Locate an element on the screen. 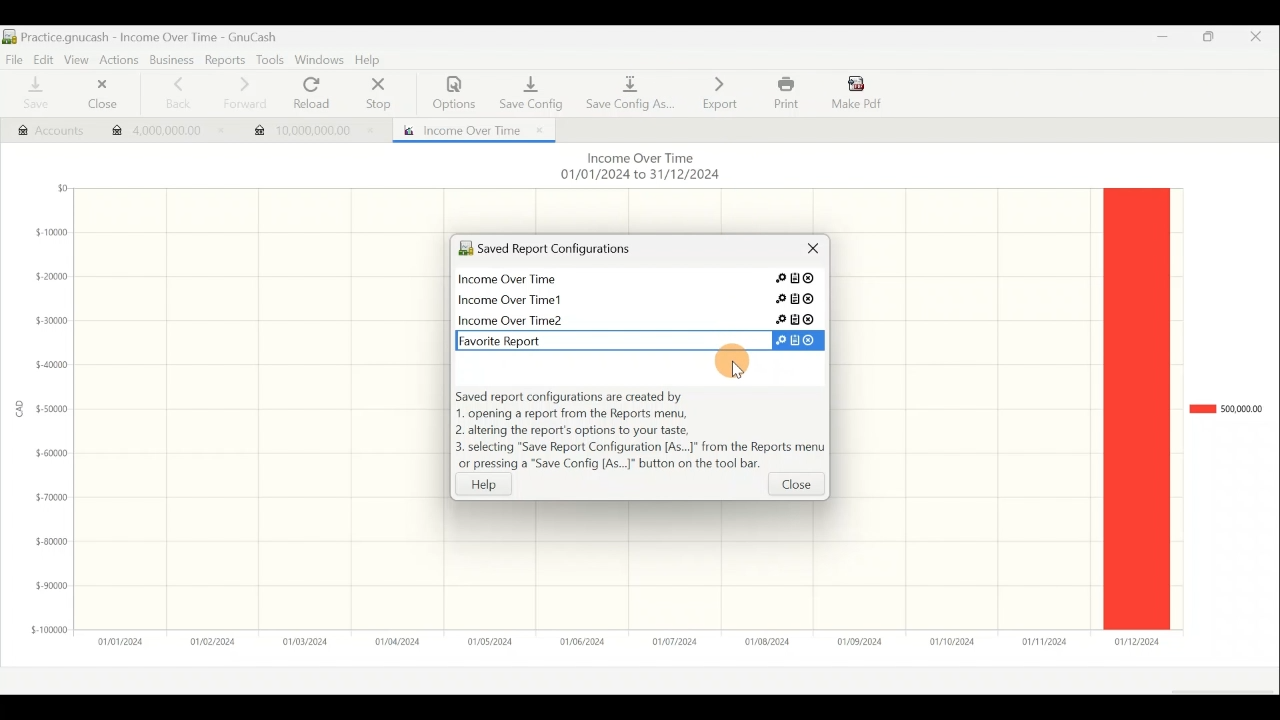 Image resolution: width=1280 pixels, height=720 pixels. Maximize is located at coordinates (1210, 40).